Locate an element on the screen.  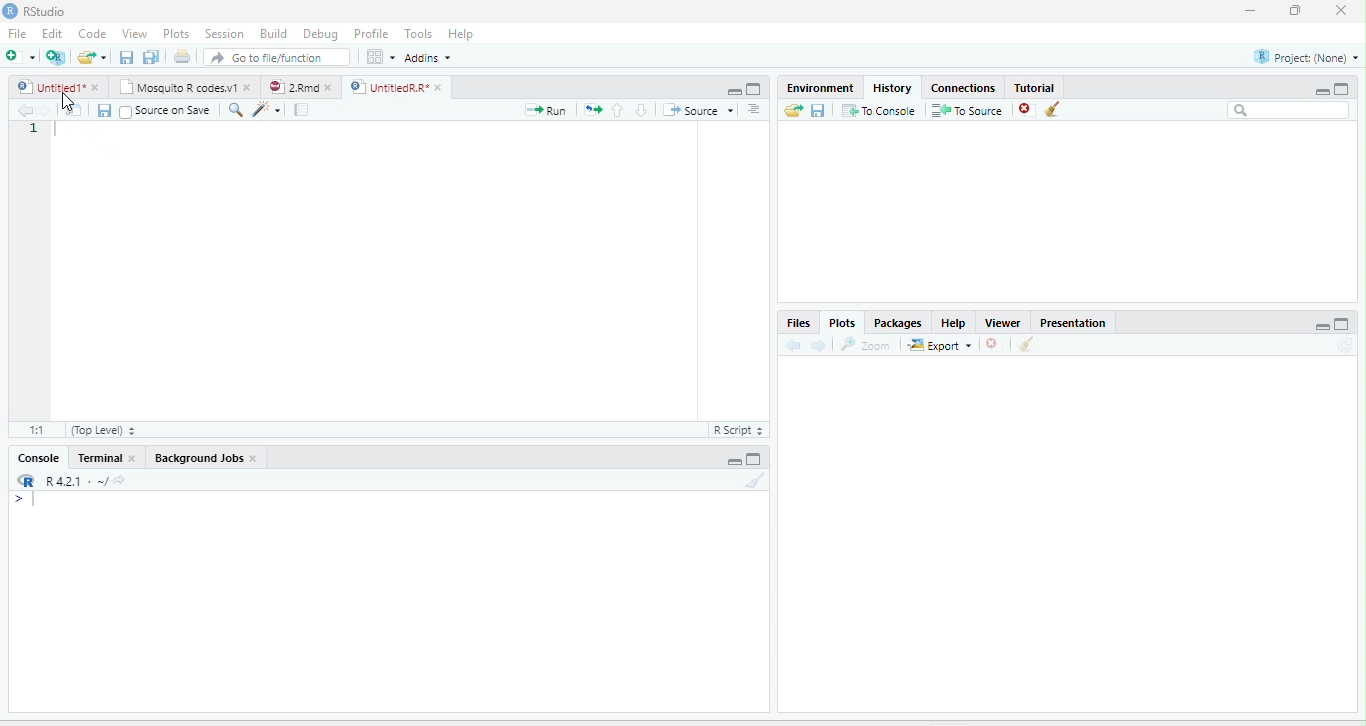
View the current working directory is located at coordinates (120, 479).